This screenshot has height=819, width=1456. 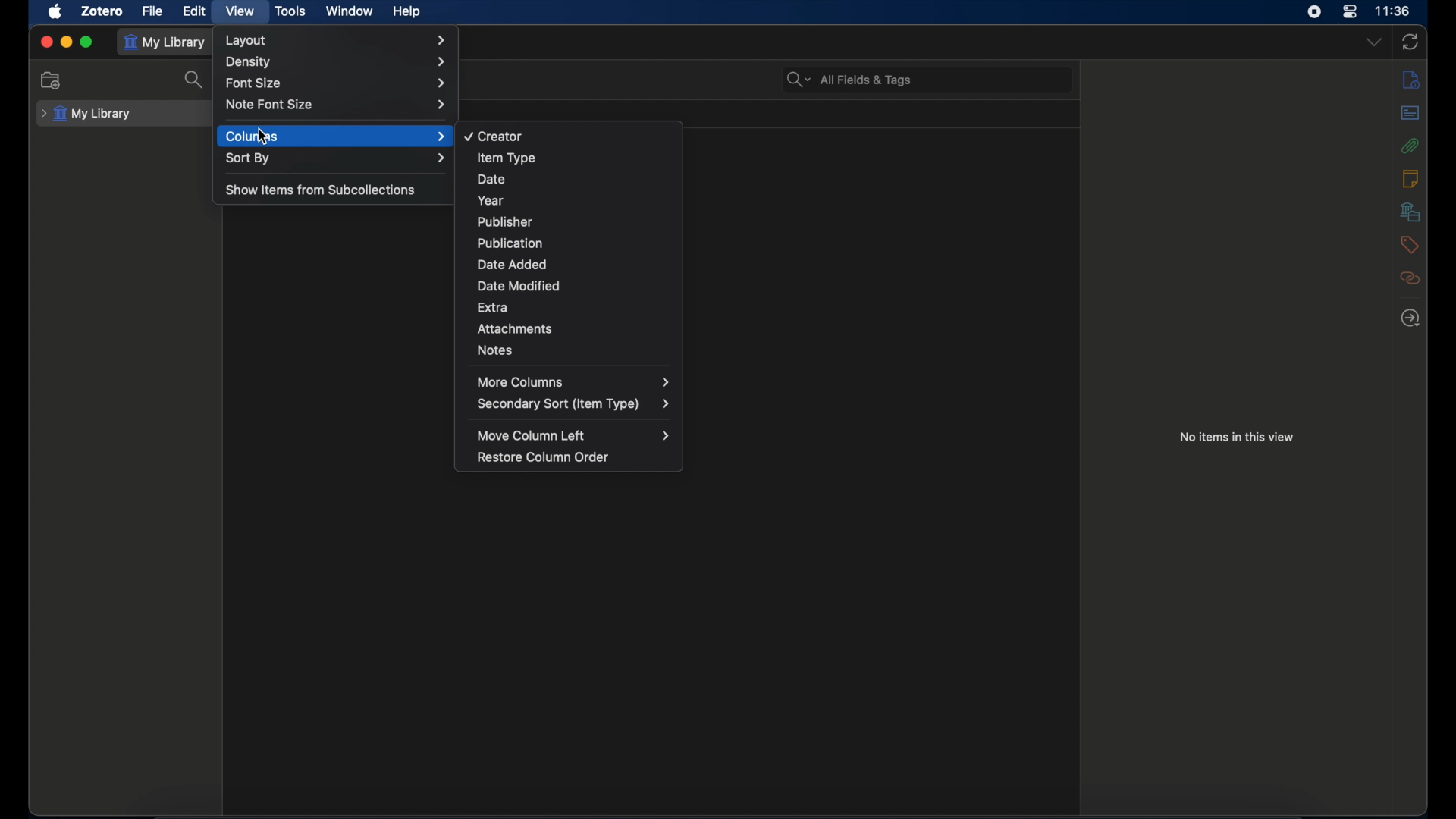 I want to click on sync, so click(x=1409, y=42).